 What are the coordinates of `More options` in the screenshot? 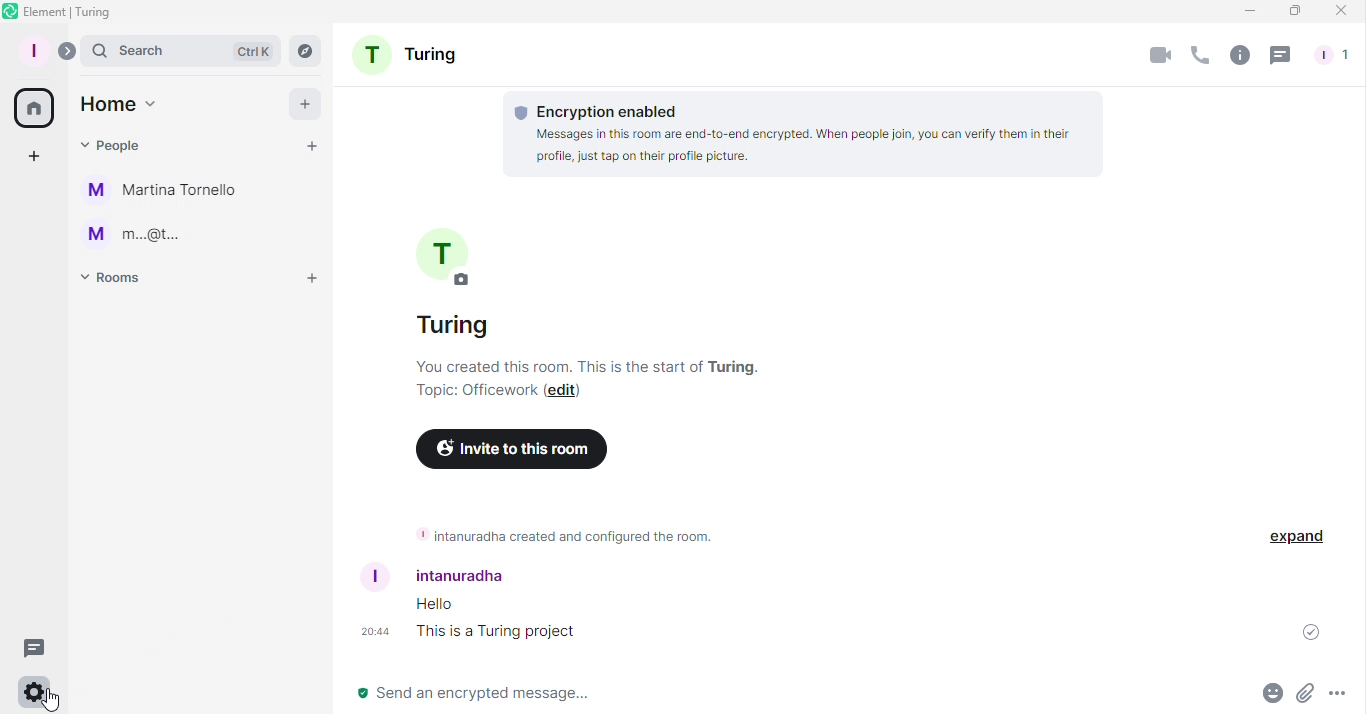 It's located at (1340, 696).